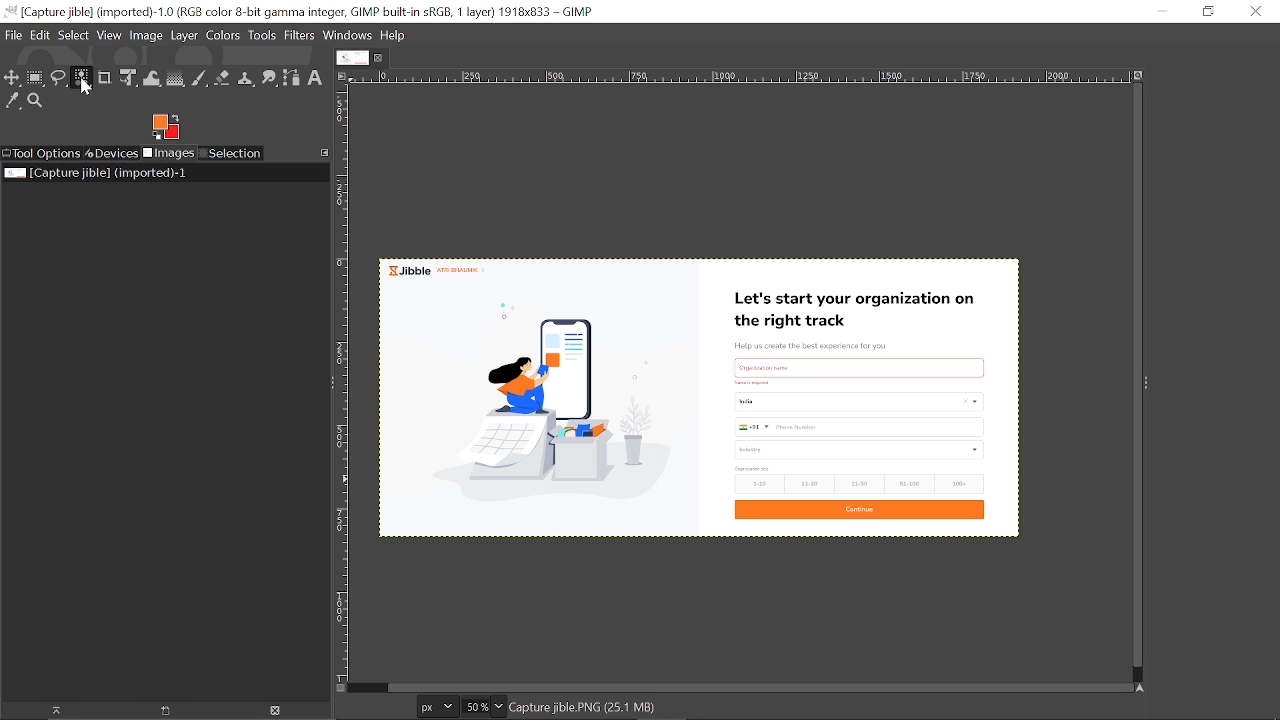 The width and height of the screenshot is (1280, 720). Describe the element at coordinates (586, 708) in the screenshot. I see `image name` at that location.